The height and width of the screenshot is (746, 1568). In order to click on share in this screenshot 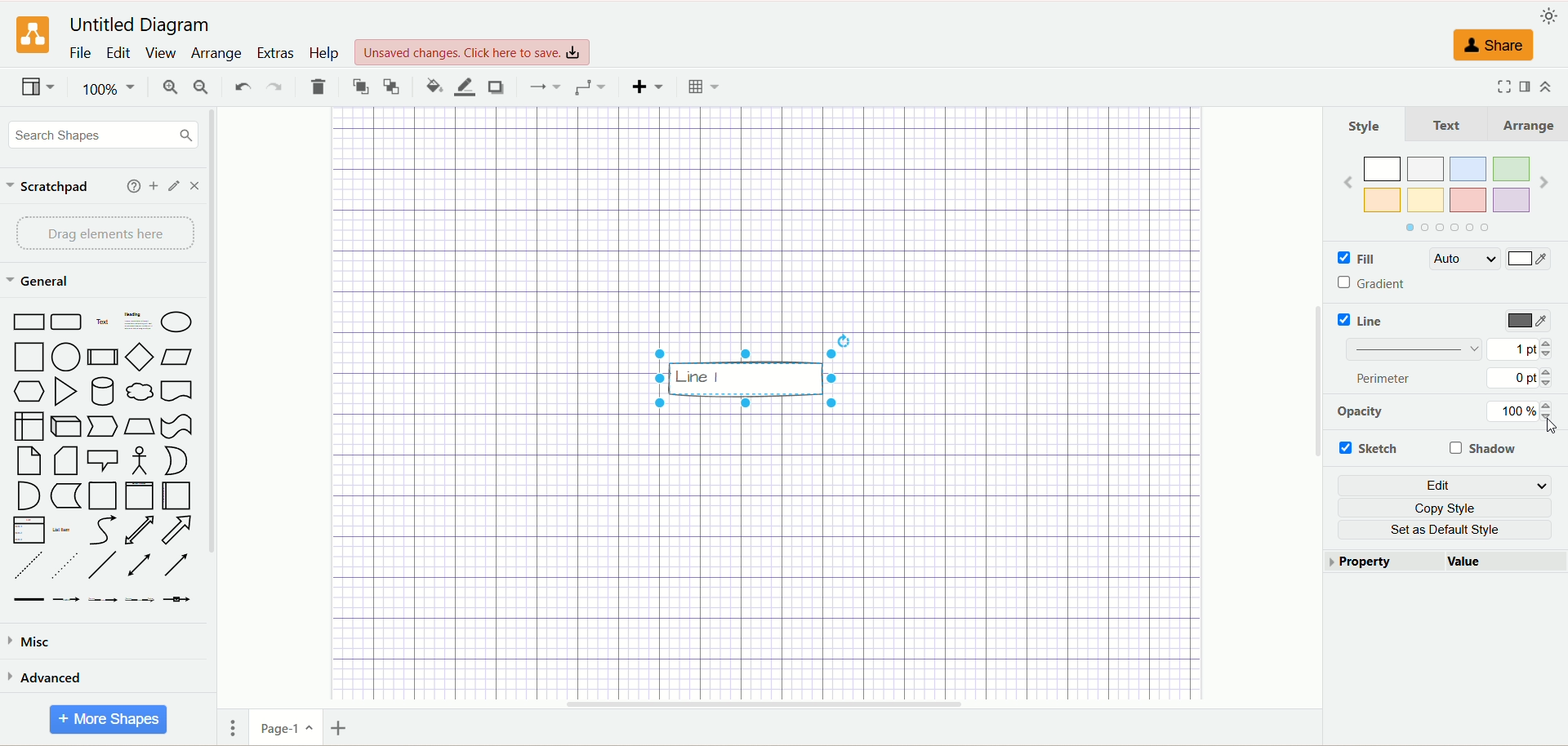, I will do `click(1491, 45)`.